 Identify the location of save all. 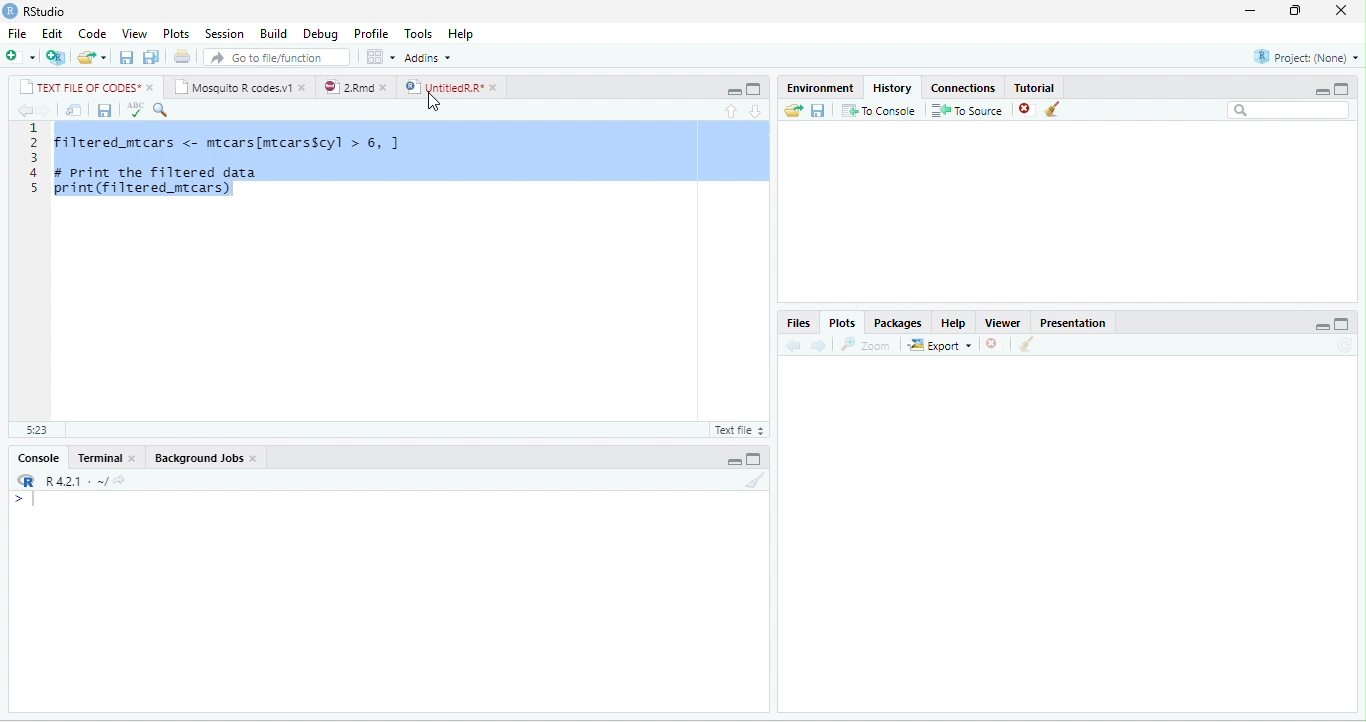
(150, 57).